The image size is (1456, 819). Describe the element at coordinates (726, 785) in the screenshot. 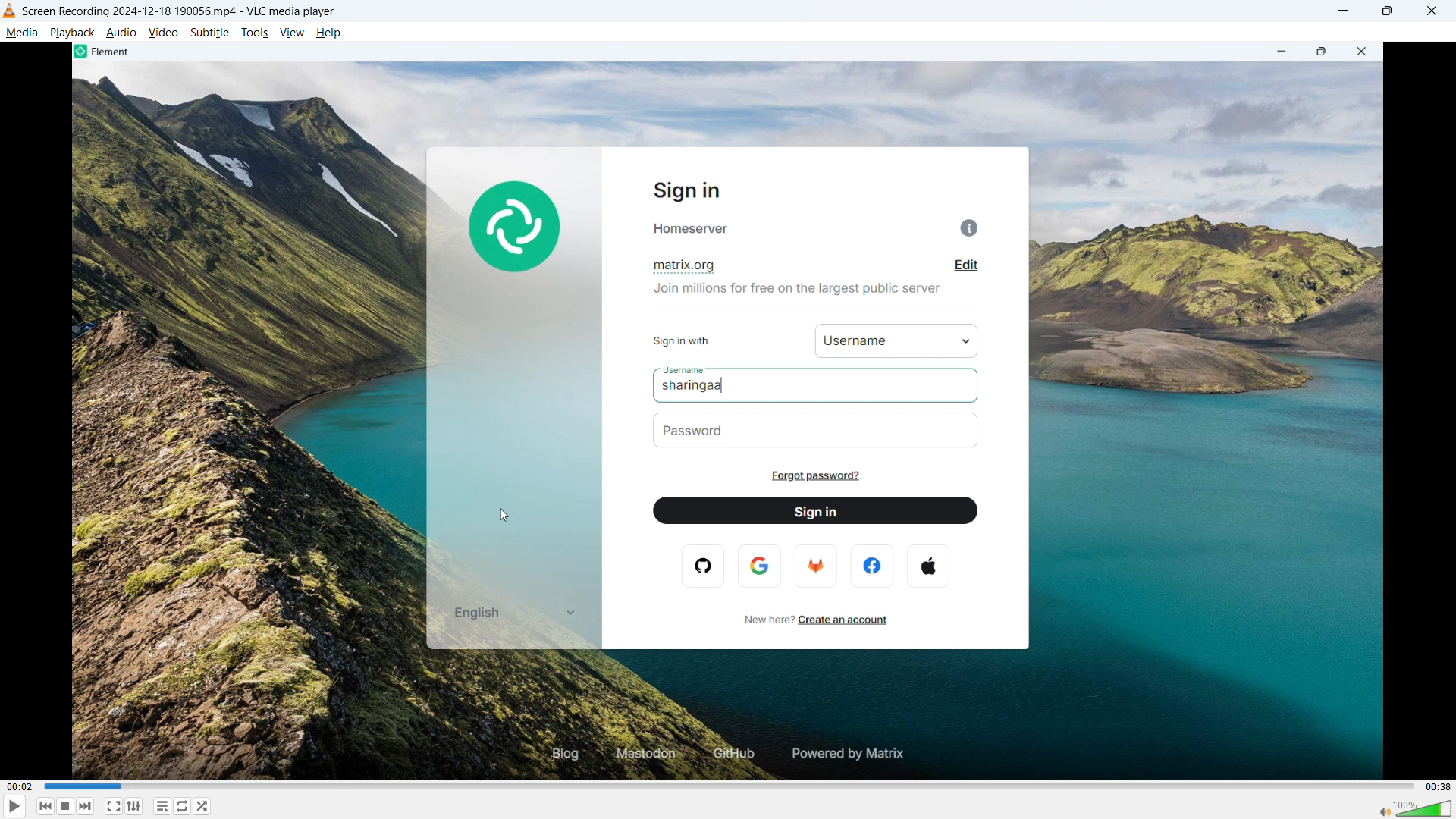

I see `time bar` at that location.